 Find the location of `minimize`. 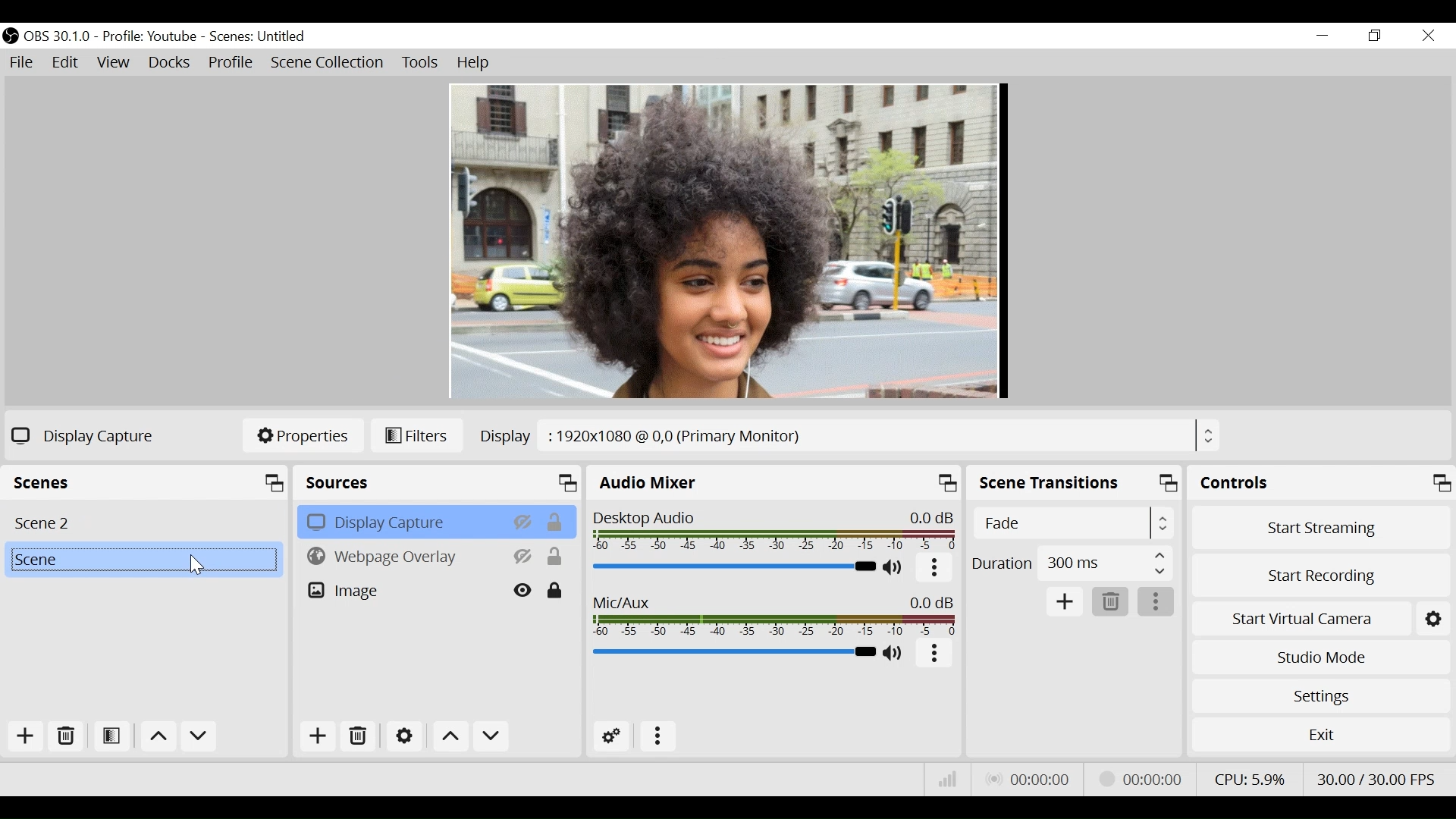

minimize is located at coordinates (1321, 35).